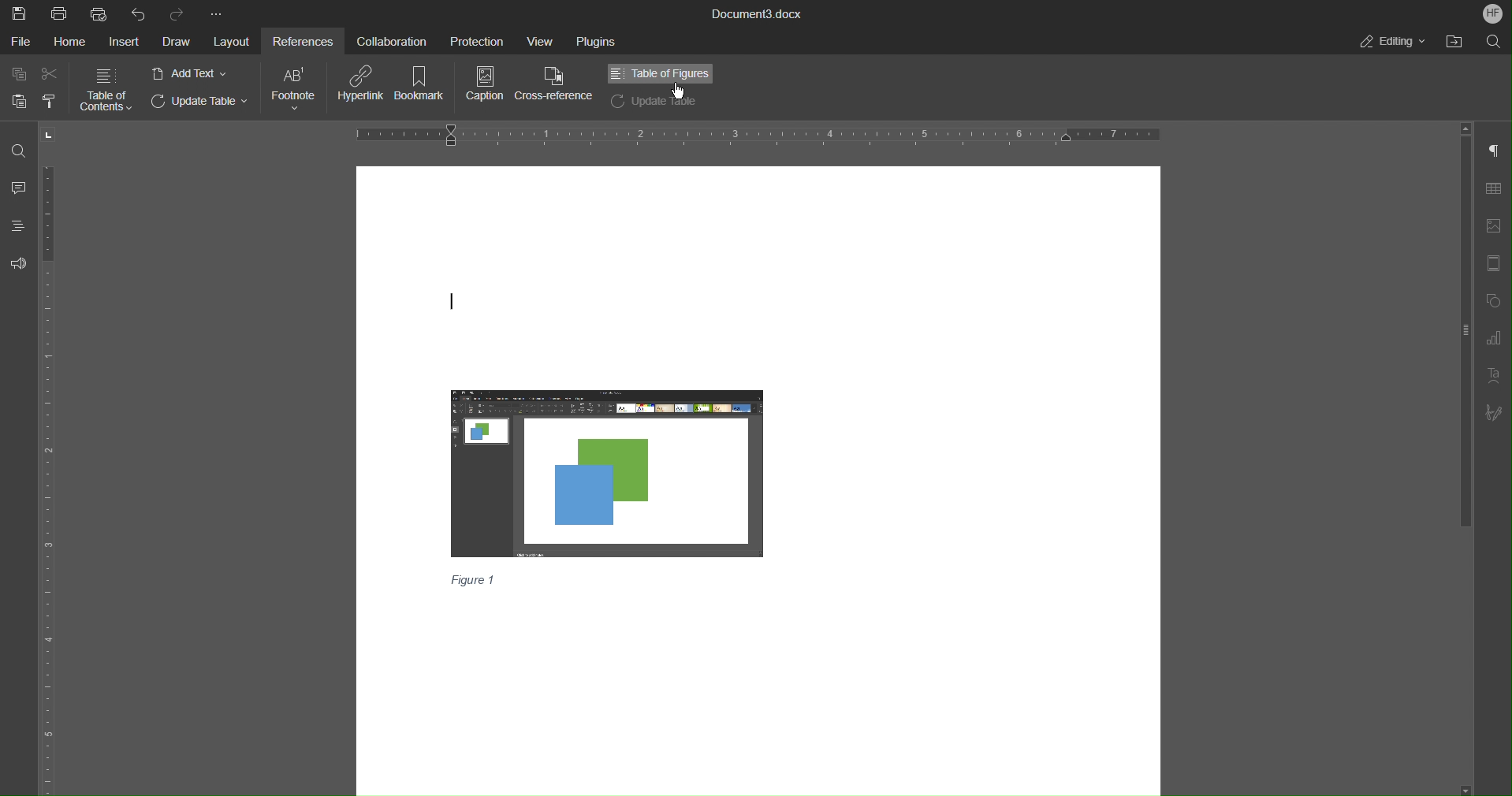  What do you see at coordinates (23, 42) in the screenshot?
I see `File` at bounding box center [23, 42].